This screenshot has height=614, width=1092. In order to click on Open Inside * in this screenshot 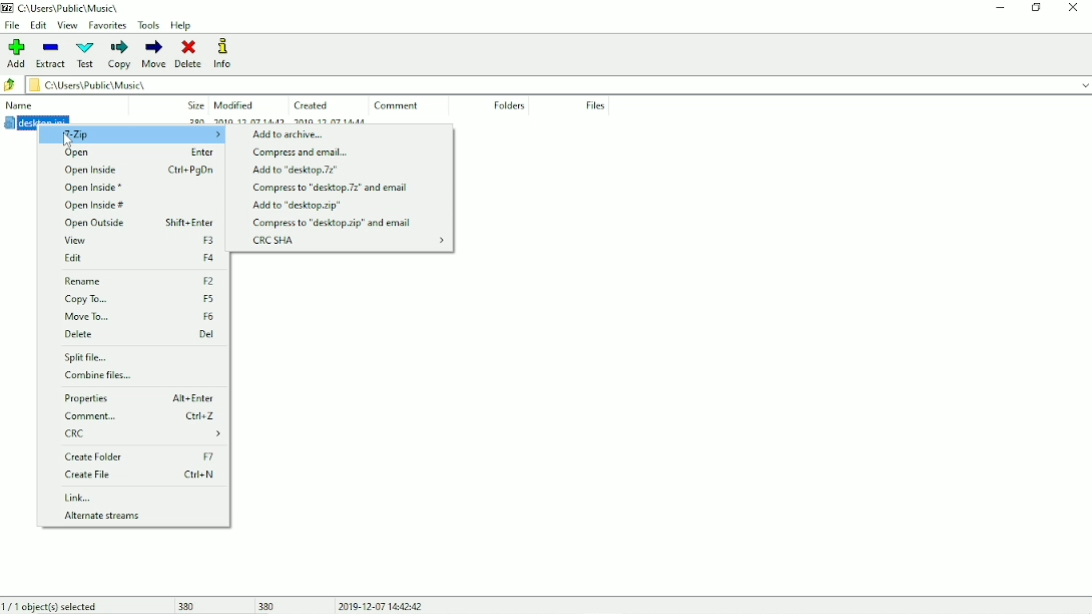, I will do `click(92, 188)`.